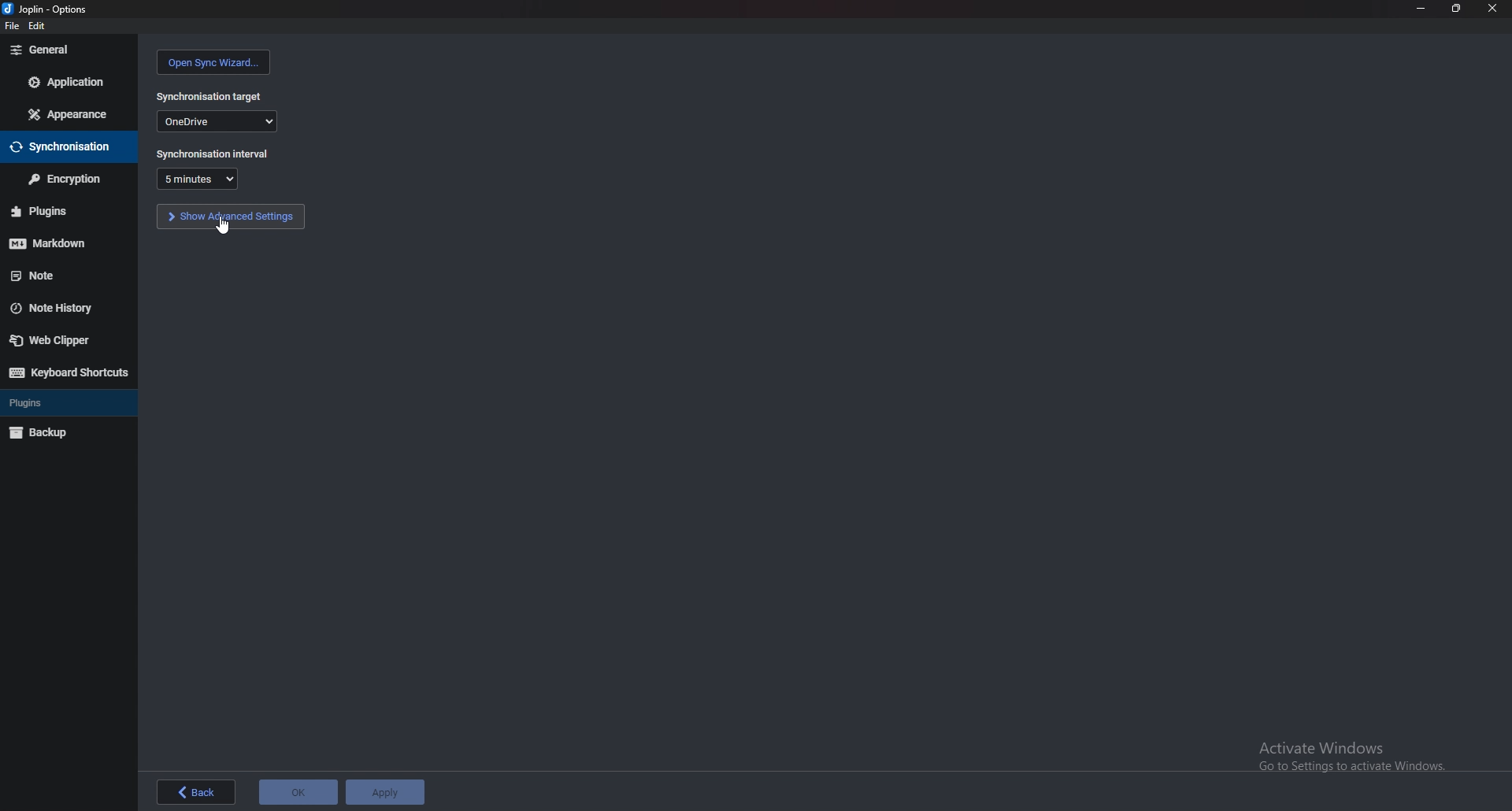 The width and height of the screenshot is (1512, 811). Describe the element at coordinates (230, 217) in the screenshot. I see `show advanced settings` at that location.